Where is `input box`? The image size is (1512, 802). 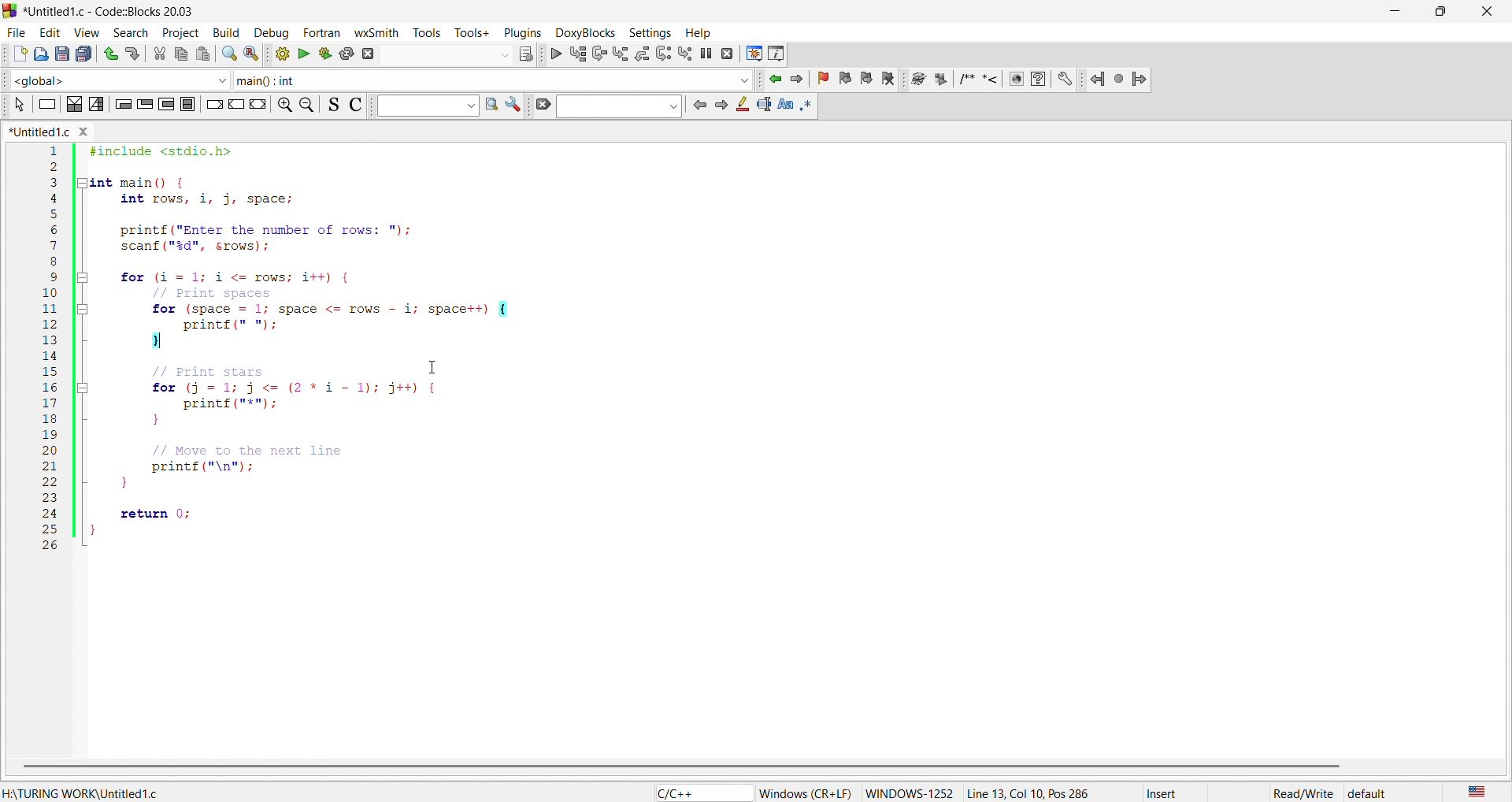 input box is located at coordinates (424, 106).